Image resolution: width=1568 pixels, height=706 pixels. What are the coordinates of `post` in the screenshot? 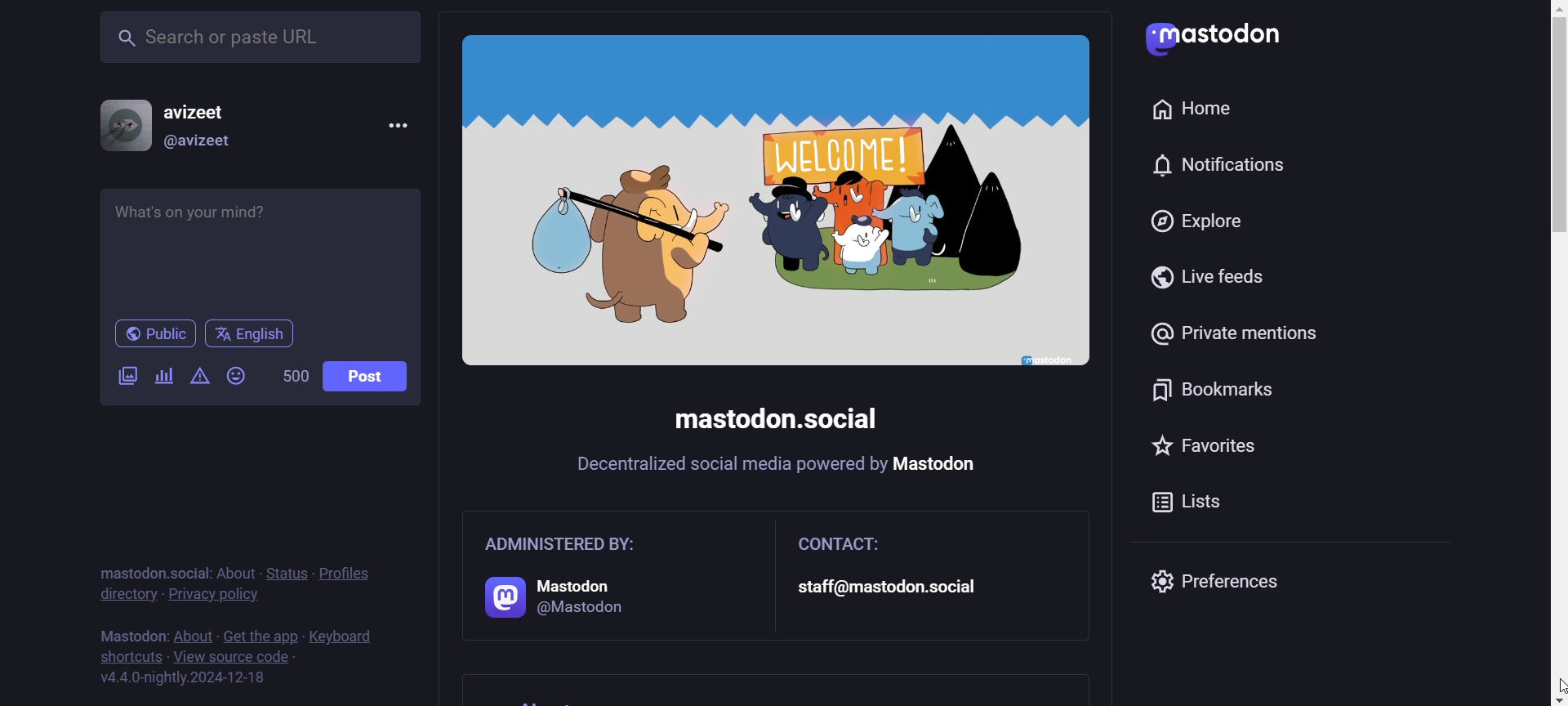 It's located at (364, 377).